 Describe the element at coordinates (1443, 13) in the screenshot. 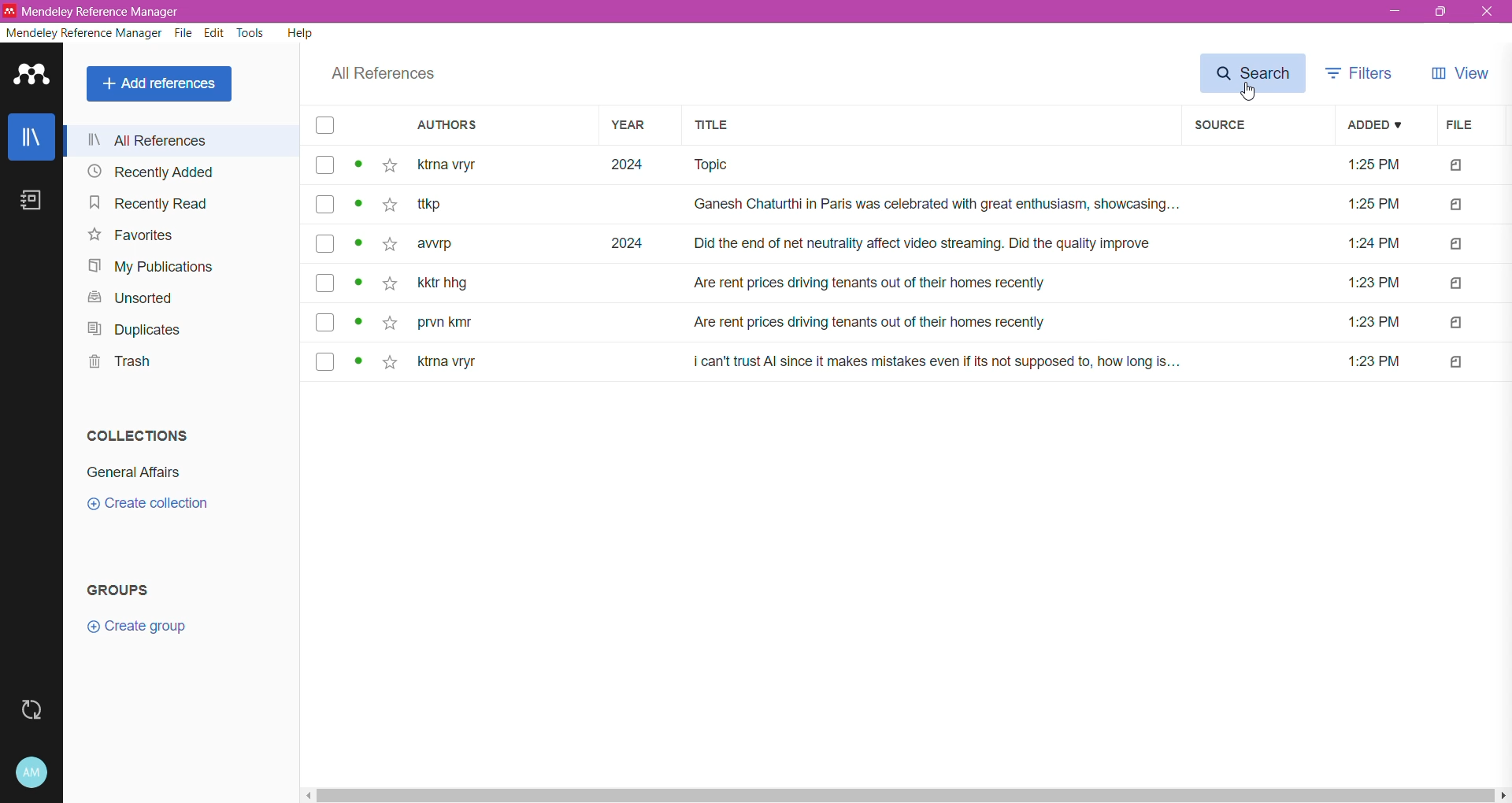

I see `Restore Down` at that location.